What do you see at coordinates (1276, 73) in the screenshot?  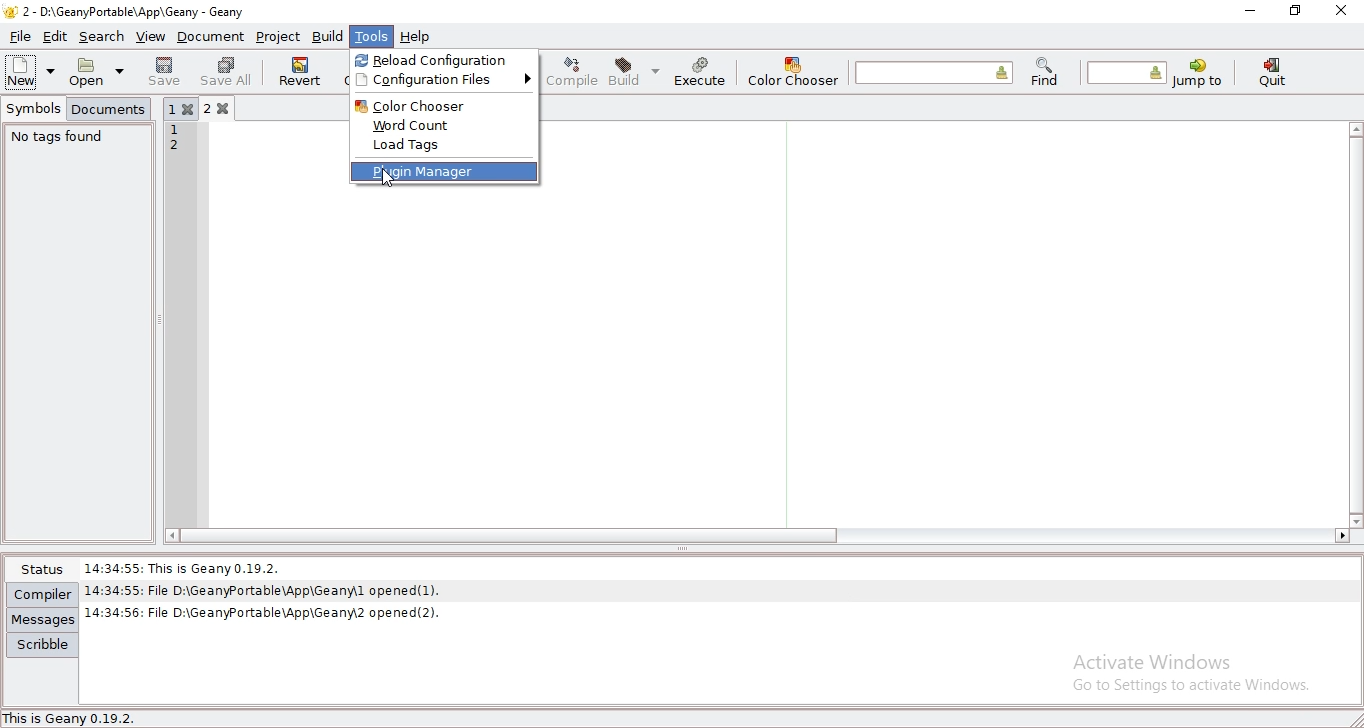 I see `quit` at bounding box center [1276, 73].